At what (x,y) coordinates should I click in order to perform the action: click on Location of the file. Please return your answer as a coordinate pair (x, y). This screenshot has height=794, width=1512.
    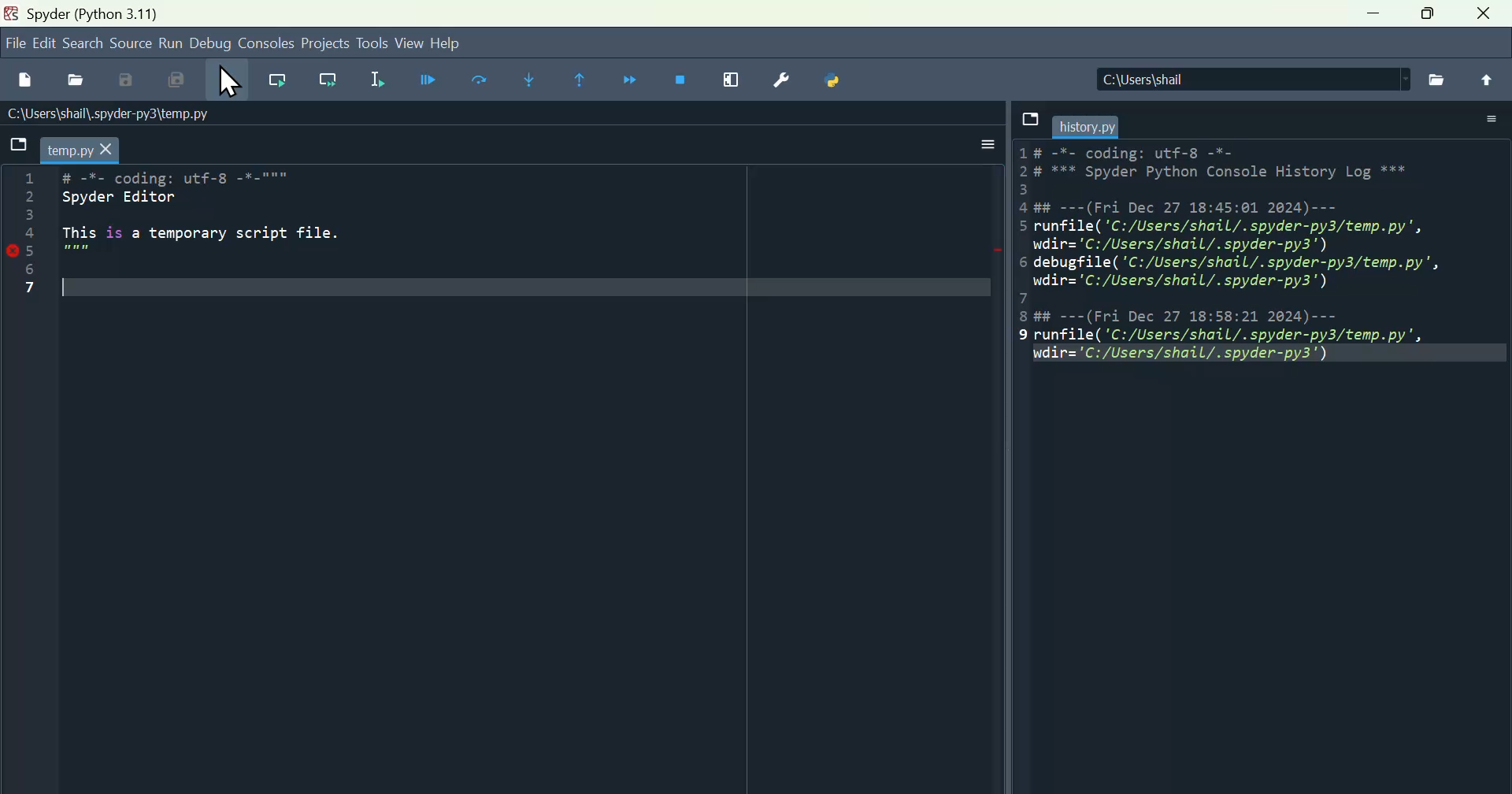
    Looking at the image, I should click on (1238, 79).